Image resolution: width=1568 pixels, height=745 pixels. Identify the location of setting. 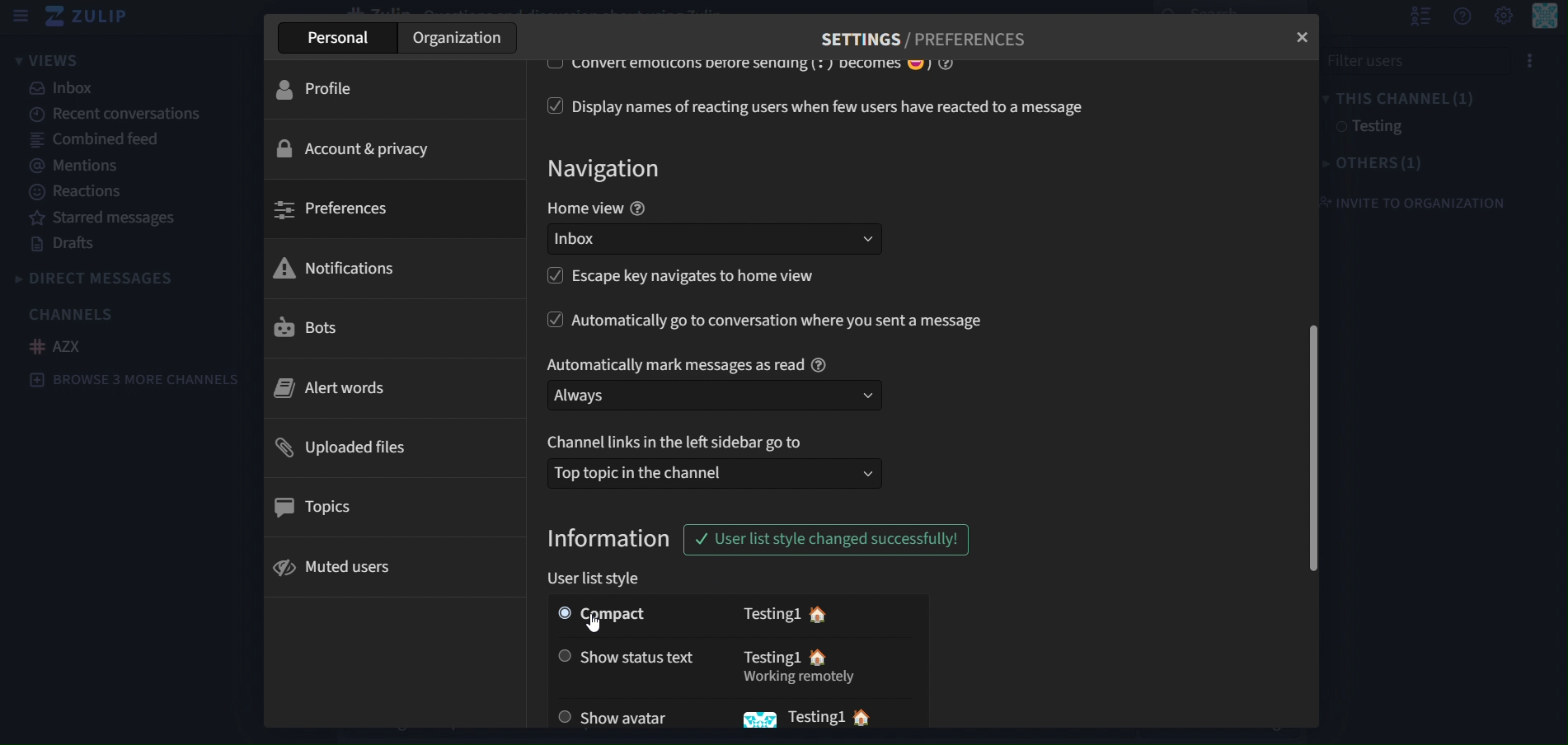
(1503, 16).